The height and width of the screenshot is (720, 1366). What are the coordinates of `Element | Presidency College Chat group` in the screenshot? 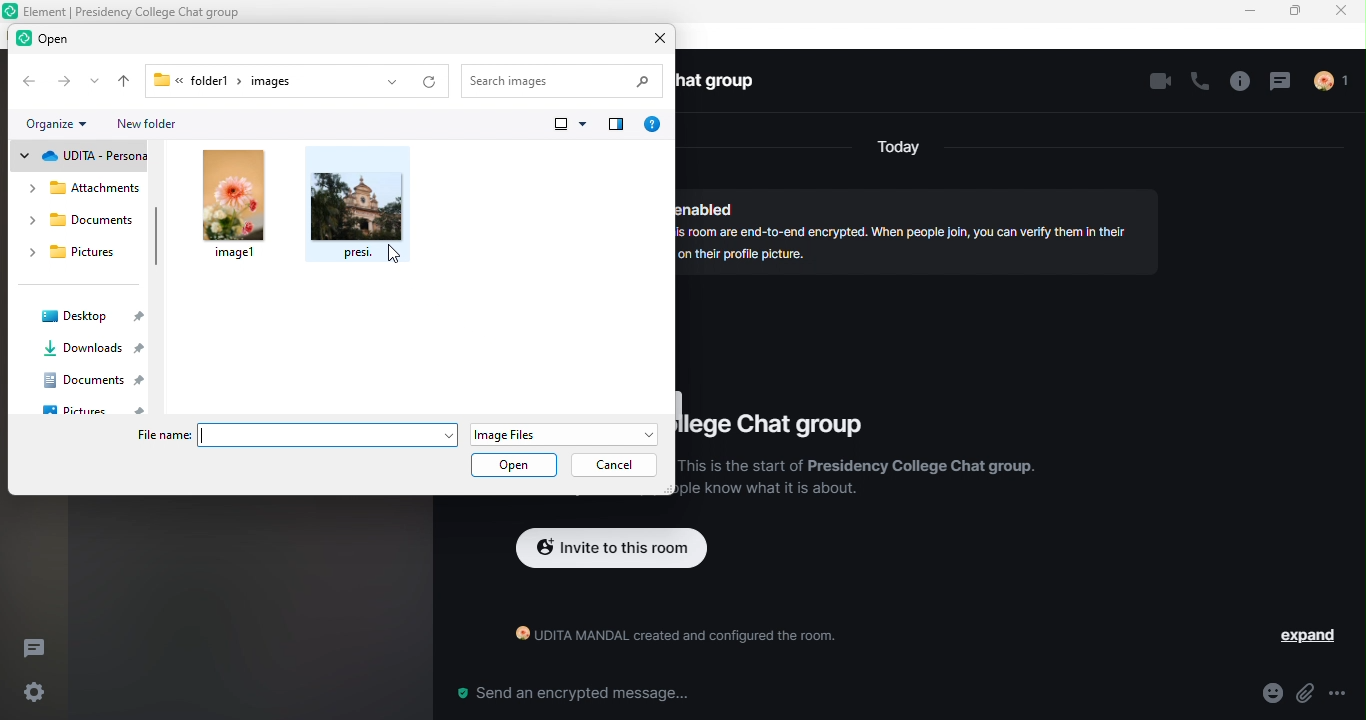 It's located at (140, 10).